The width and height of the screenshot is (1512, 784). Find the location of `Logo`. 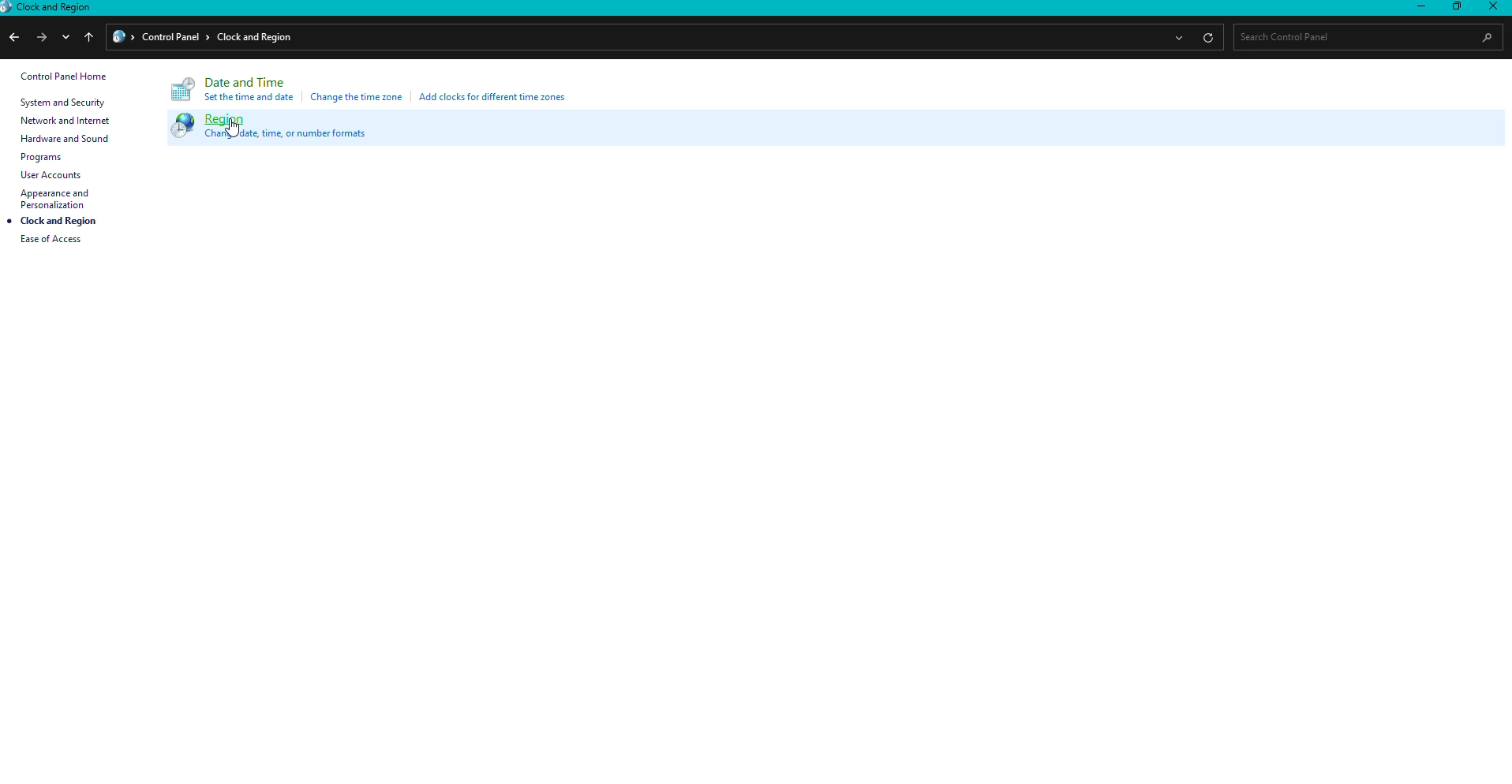

Logo is located at coordinates (177, 125).